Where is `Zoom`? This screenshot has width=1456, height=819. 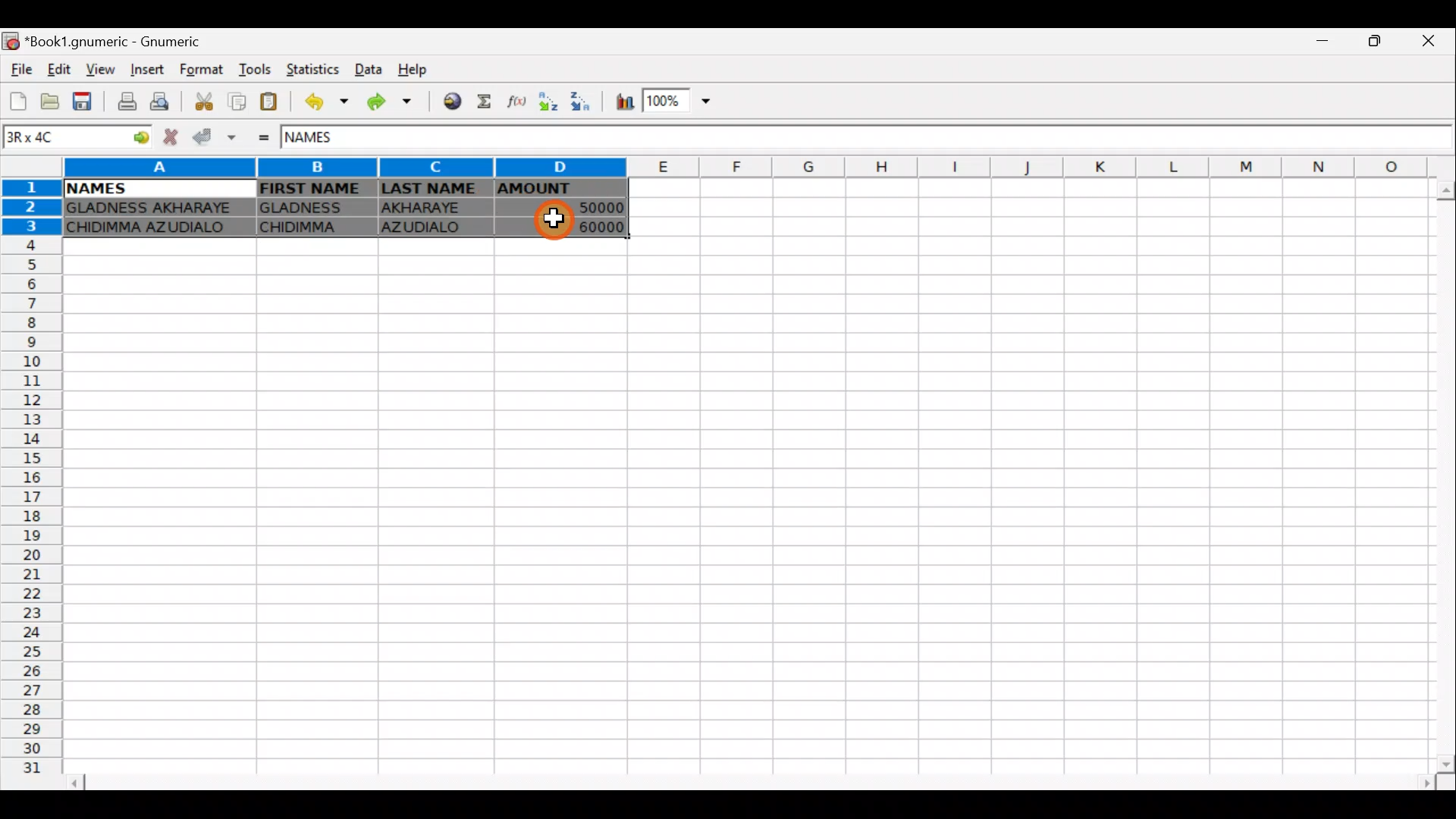 Zoom is located at coordinates (682, 99).